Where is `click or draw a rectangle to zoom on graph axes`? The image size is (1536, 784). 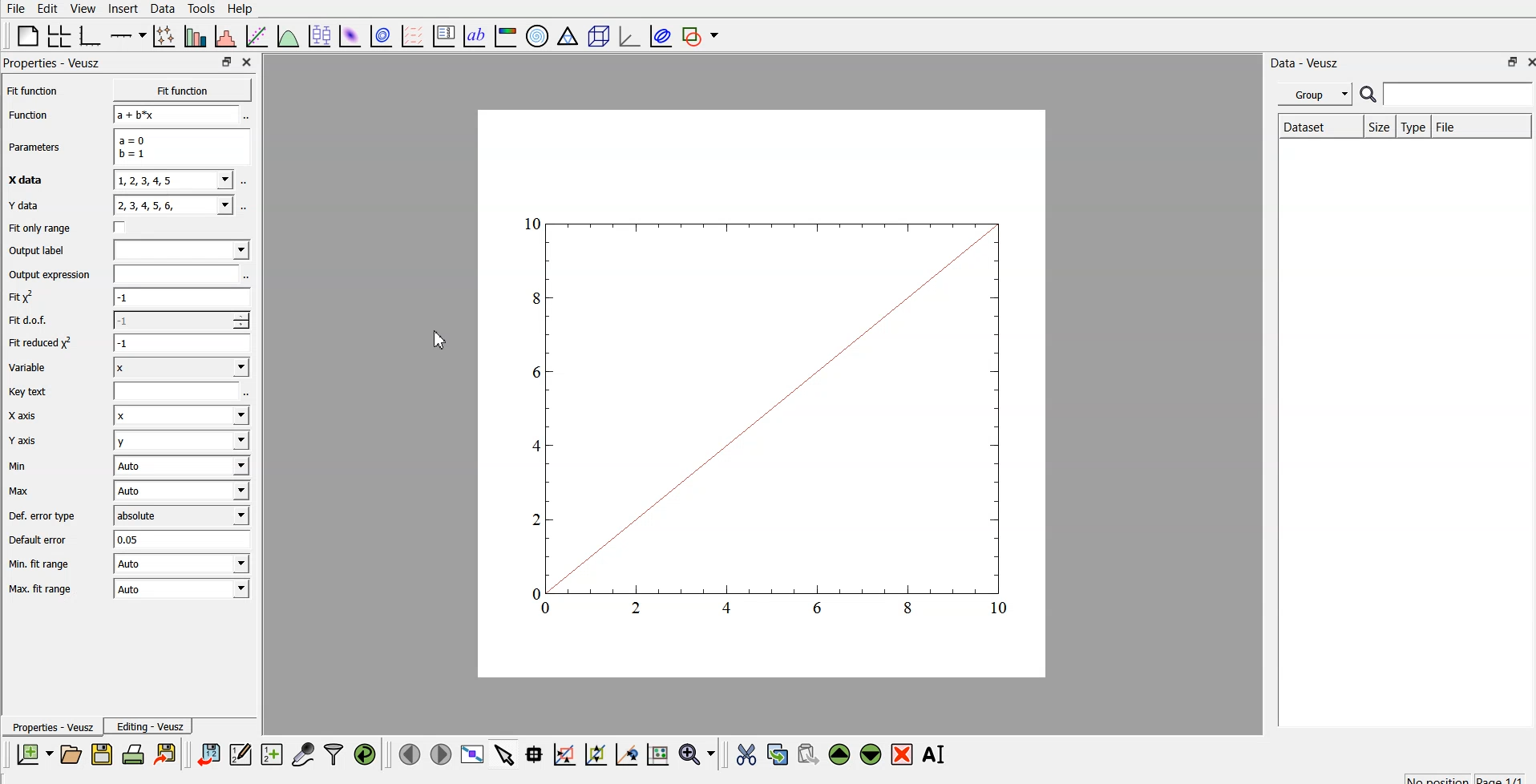 click or draw a rectangle to zoom on graph axes is located at coordinates (567, 756).